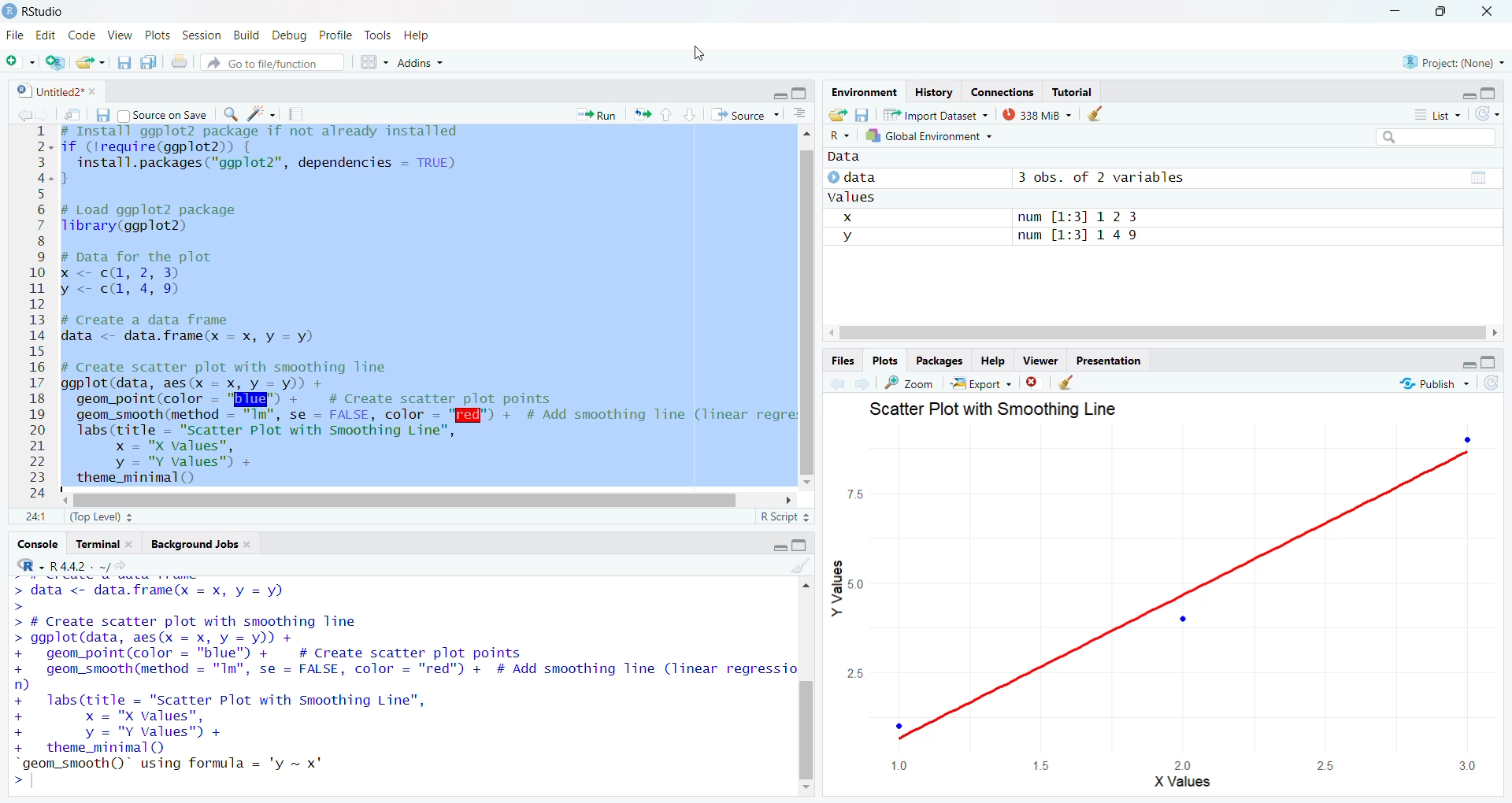  I want to click on find/replace, so click(230, 114).